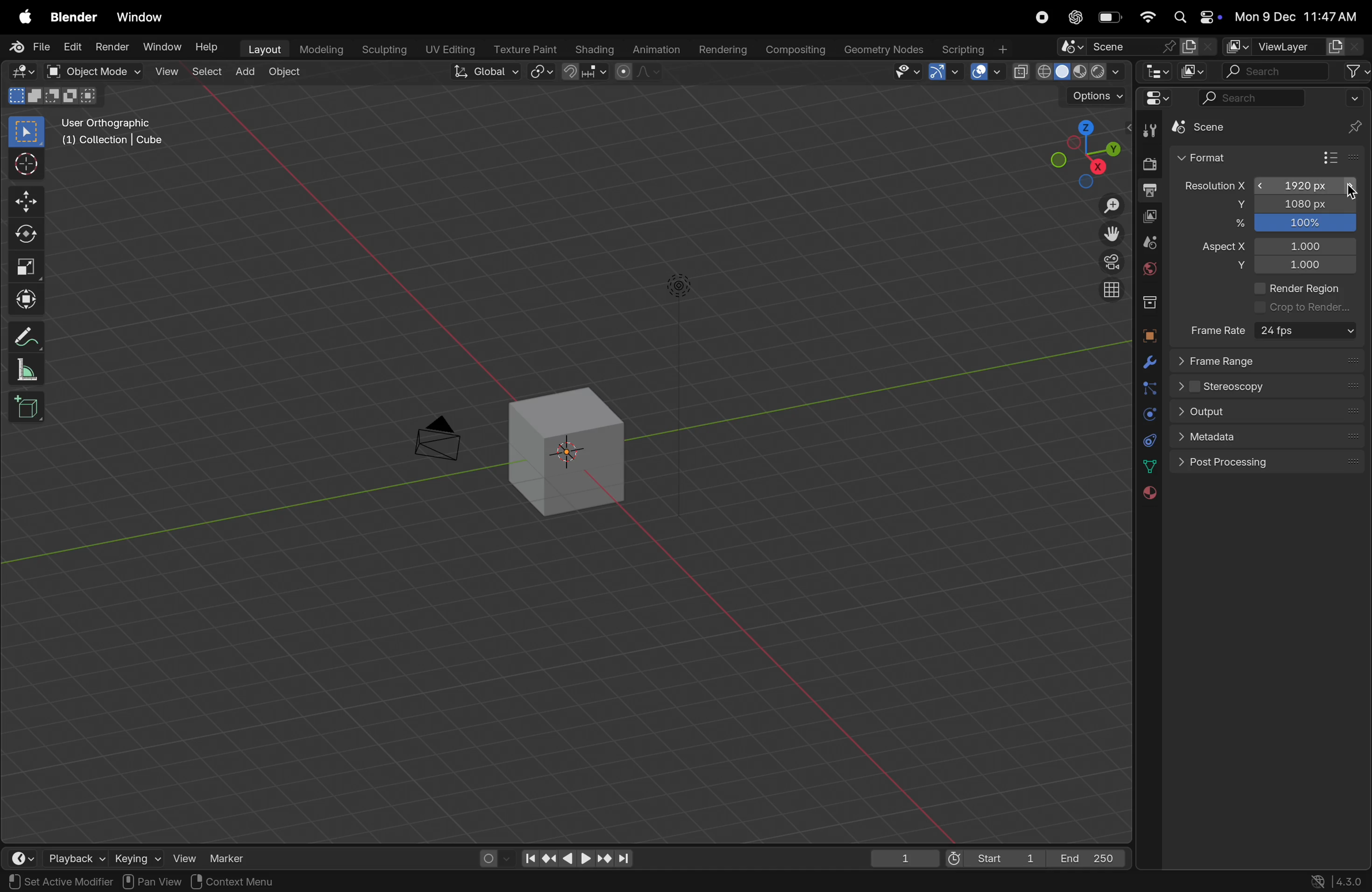 The width and height of the screenshot is (1372, 892). Describe the element at coordinates (1211, 412) in the screenshot. I see `output` at that location.